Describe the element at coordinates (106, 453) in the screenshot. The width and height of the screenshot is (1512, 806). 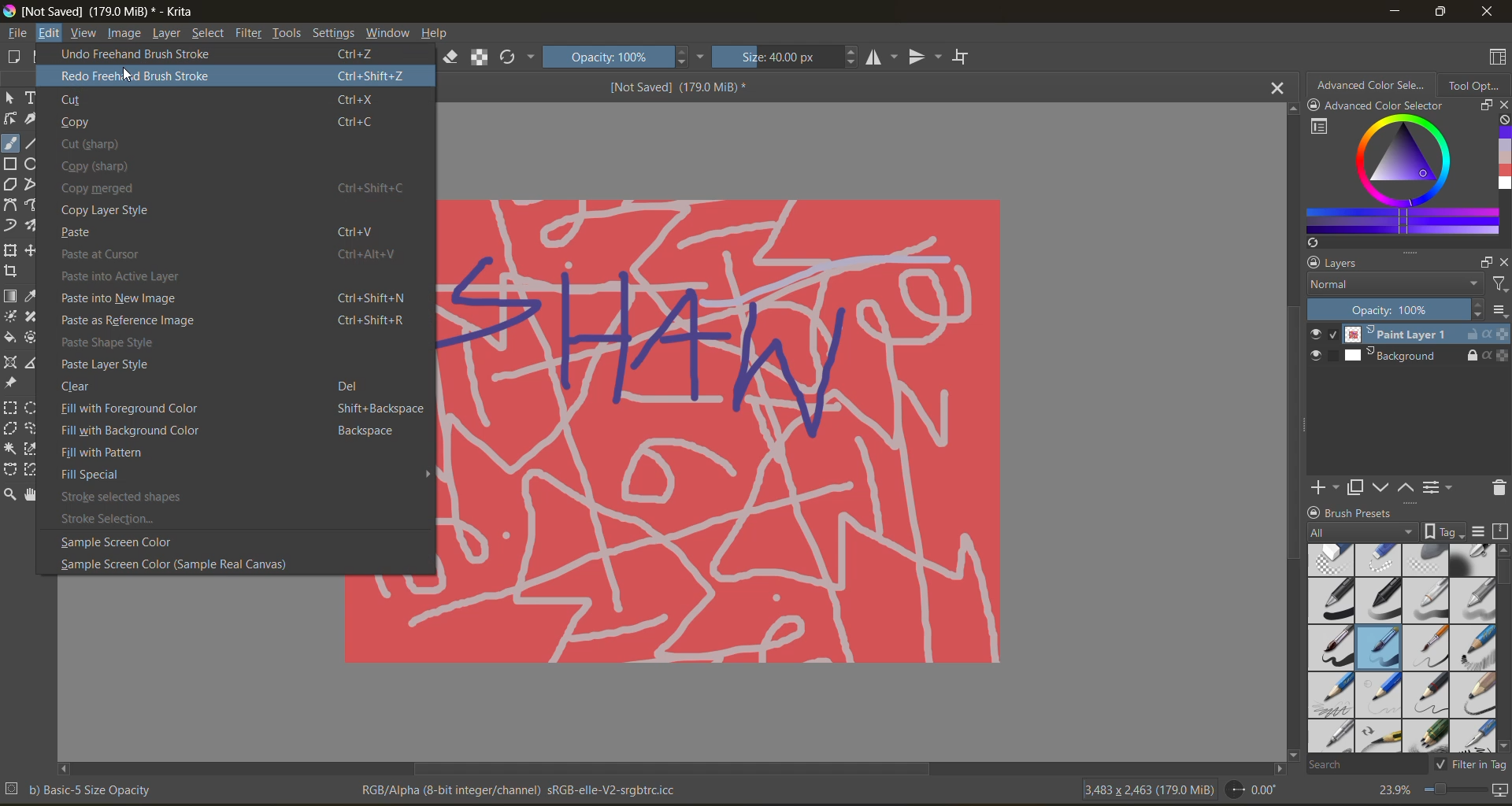
I see `fill with pattern` at that location.